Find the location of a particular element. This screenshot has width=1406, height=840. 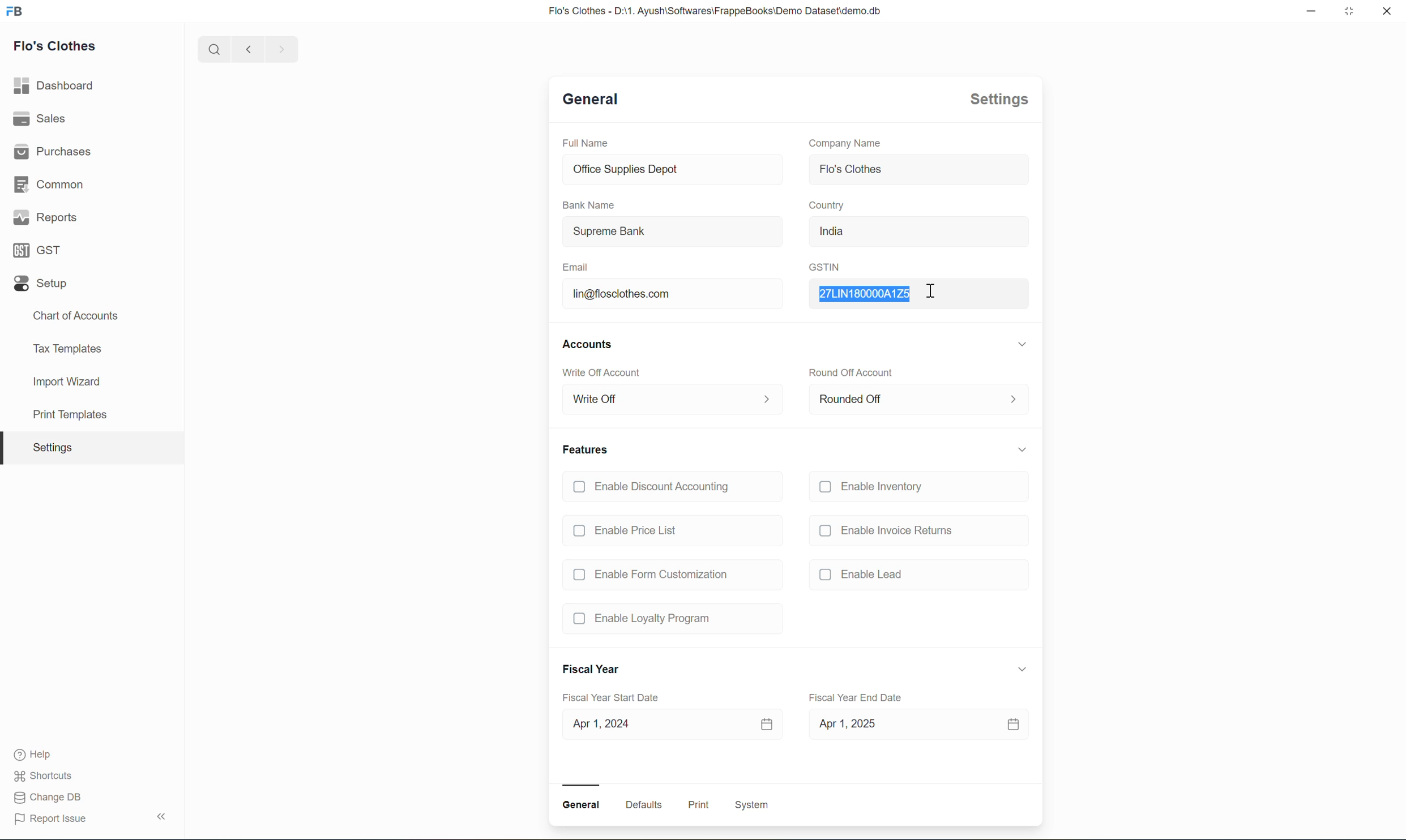

India is located at coordinates (918, 232).